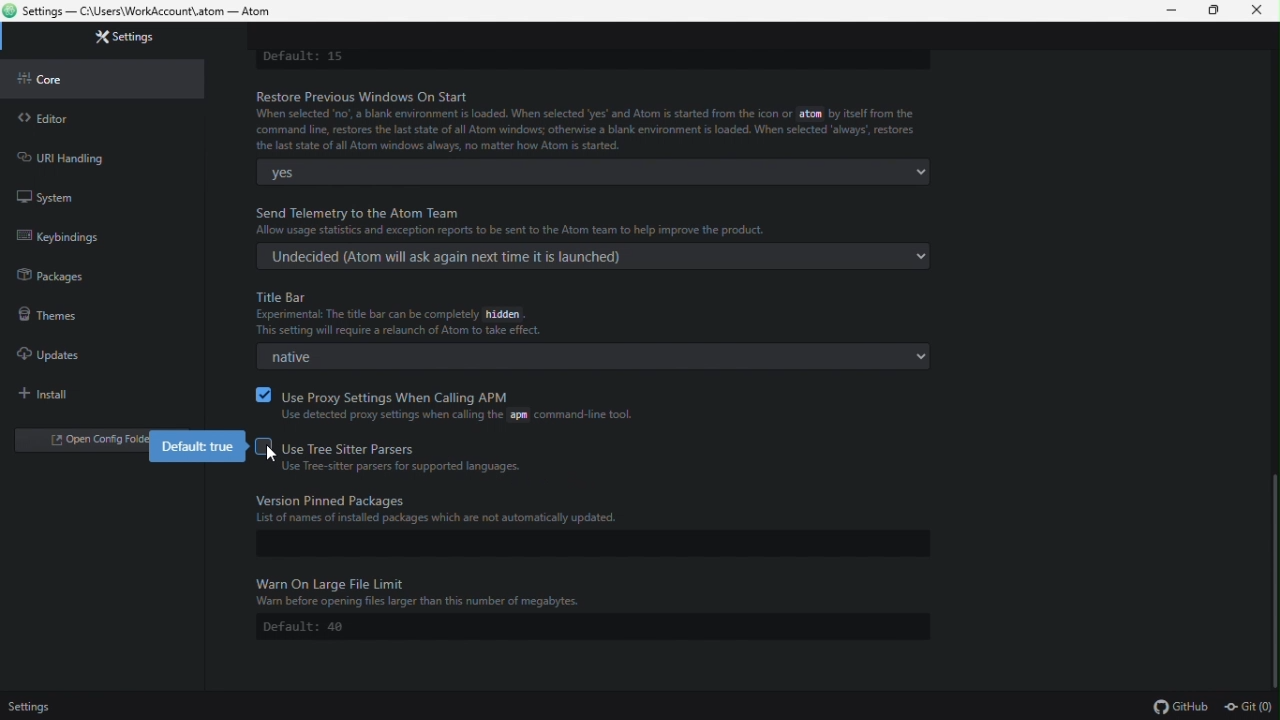 This screenshot has height=720, width=1280. Describe the element at coordinates (1219, 12) in the screenshot. I see `restore` at that location.